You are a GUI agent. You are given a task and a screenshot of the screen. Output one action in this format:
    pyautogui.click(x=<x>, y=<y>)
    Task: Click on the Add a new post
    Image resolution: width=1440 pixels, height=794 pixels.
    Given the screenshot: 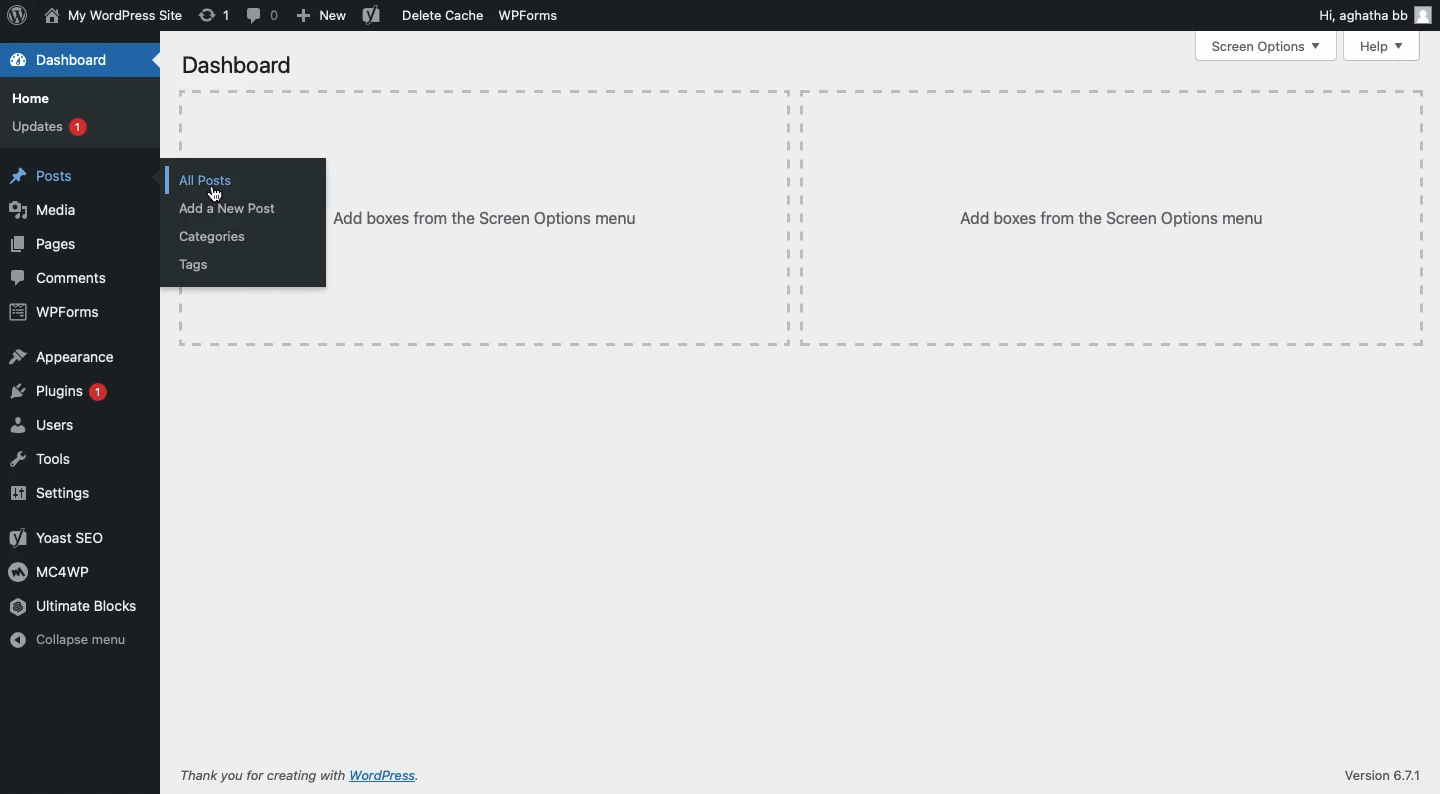 What is the action you would take?
    pyautogui.click(x=229, y=208)
    